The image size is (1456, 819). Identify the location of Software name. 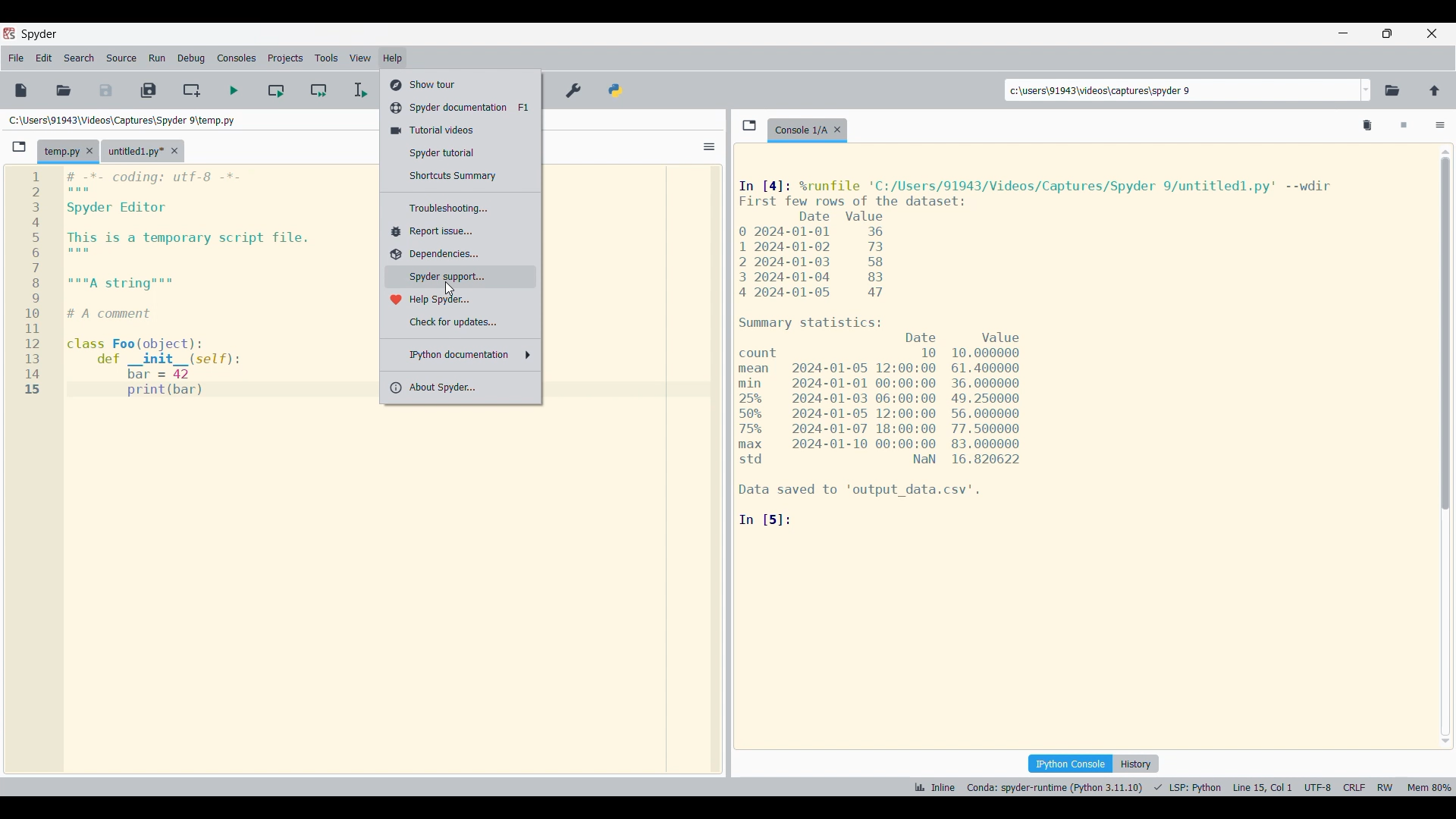
(39, 34).